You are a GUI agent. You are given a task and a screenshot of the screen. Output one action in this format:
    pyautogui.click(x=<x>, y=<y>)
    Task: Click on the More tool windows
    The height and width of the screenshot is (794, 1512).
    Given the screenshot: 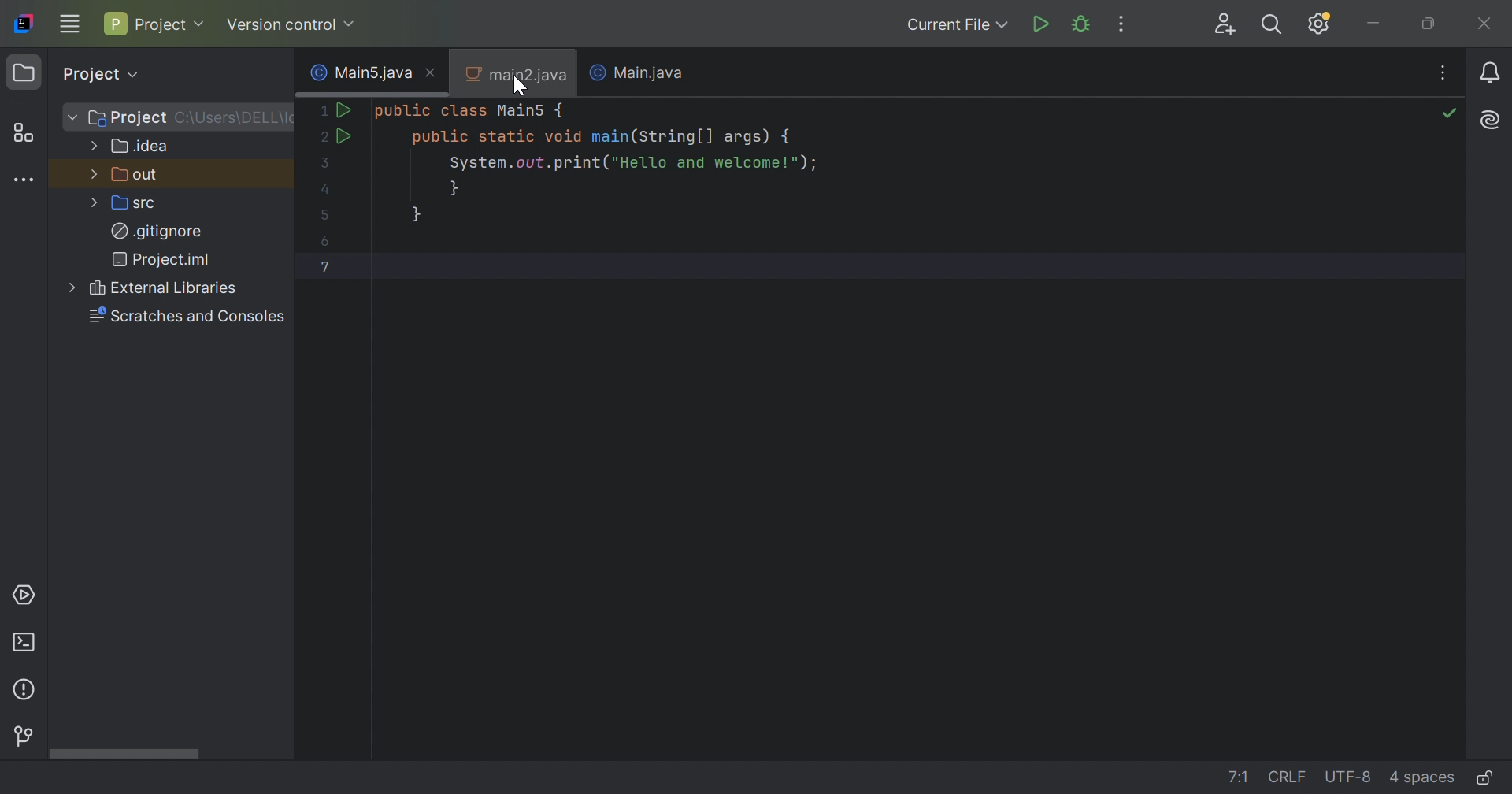 What is the action you would take?
    pyautogui.click(x=27, y=180)
    